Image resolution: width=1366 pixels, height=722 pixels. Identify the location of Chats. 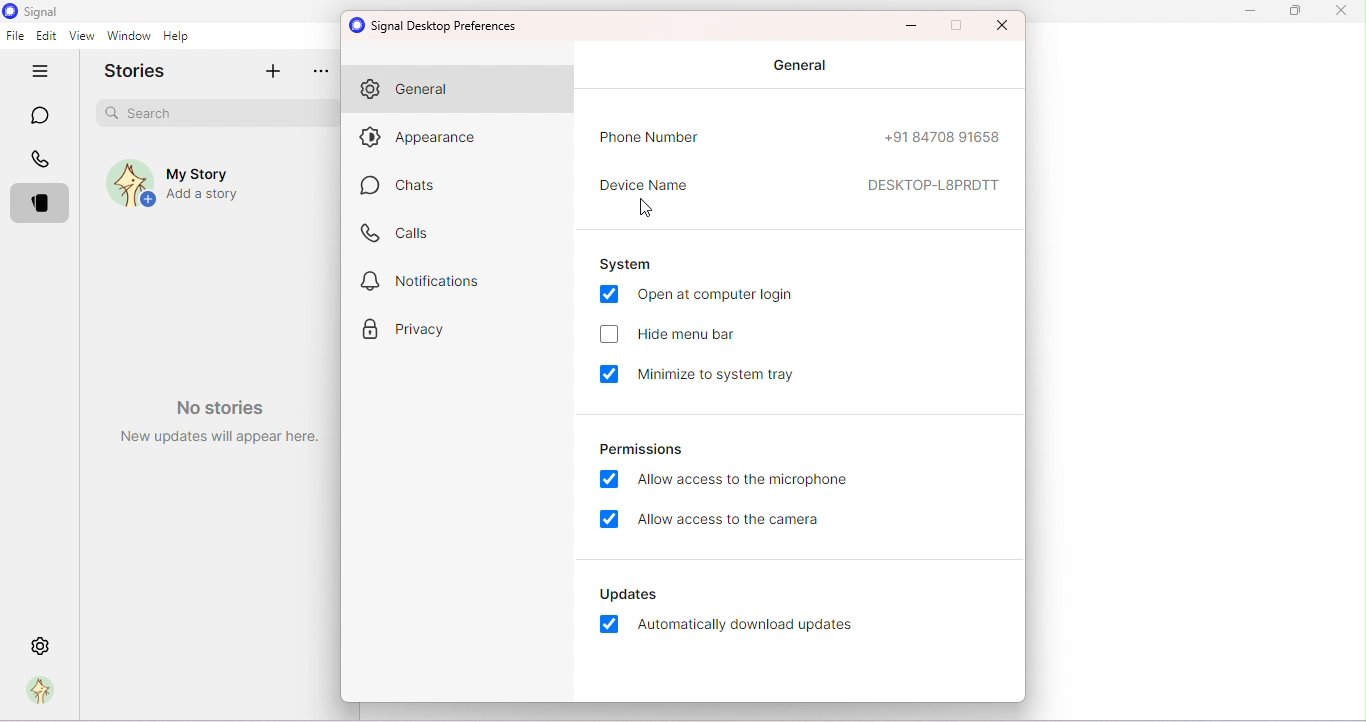
(42, 118).